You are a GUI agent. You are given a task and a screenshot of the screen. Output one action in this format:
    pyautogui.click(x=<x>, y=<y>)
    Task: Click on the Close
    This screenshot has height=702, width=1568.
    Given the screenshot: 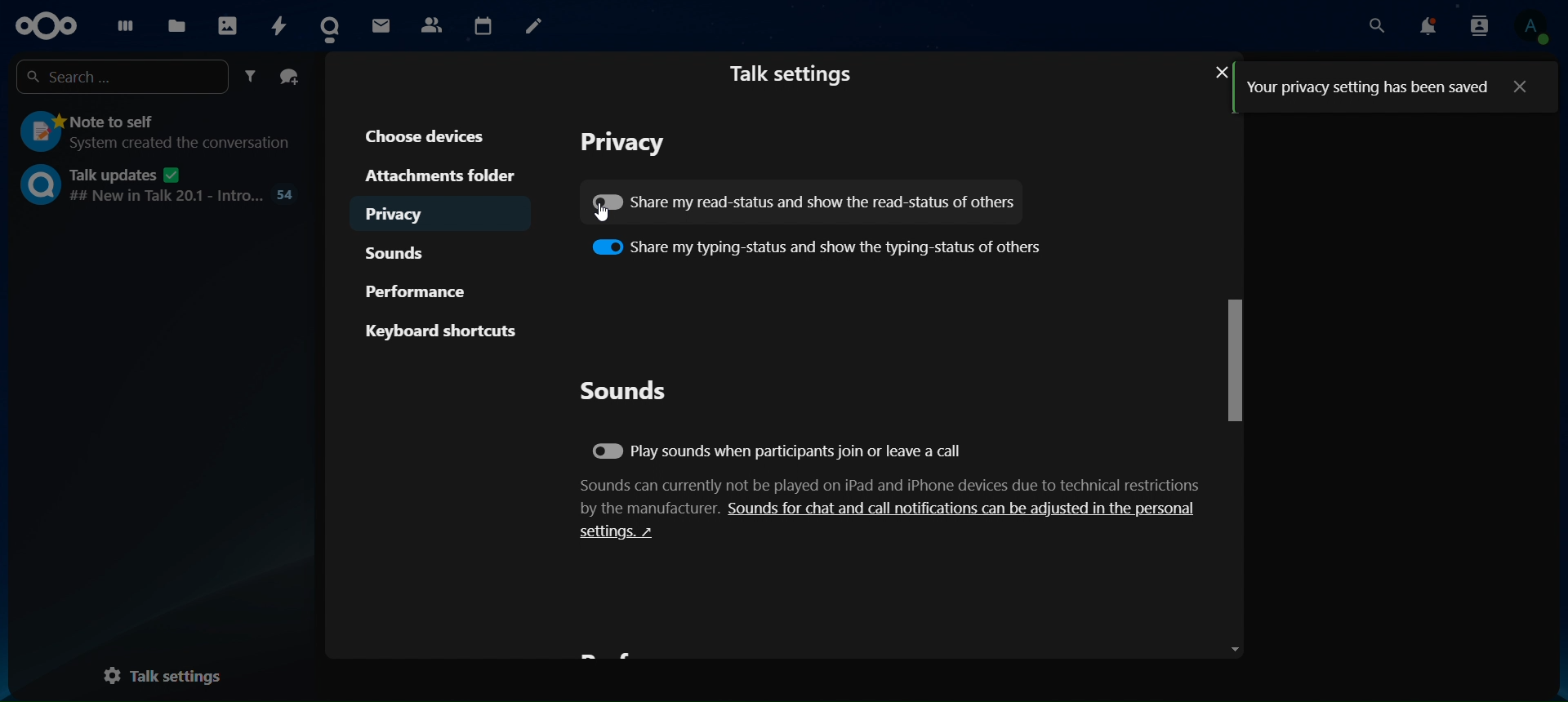 What is the action you would take?
    pyautogui.click(x=1214, y=72)
    